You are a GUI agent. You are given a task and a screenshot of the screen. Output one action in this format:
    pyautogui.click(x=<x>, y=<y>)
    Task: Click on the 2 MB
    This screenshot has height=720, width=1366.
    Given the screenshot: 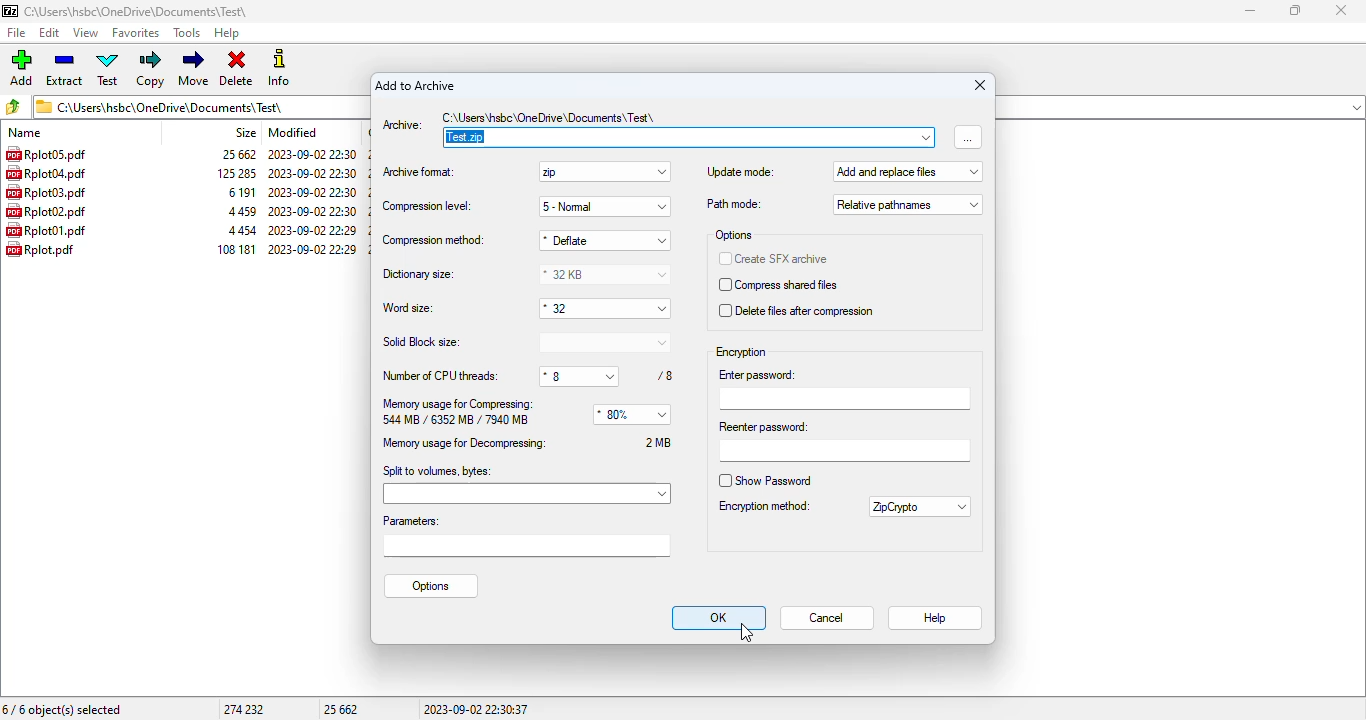 What is the action you would take?
    pyautogui.click(x=659, y=442)
    